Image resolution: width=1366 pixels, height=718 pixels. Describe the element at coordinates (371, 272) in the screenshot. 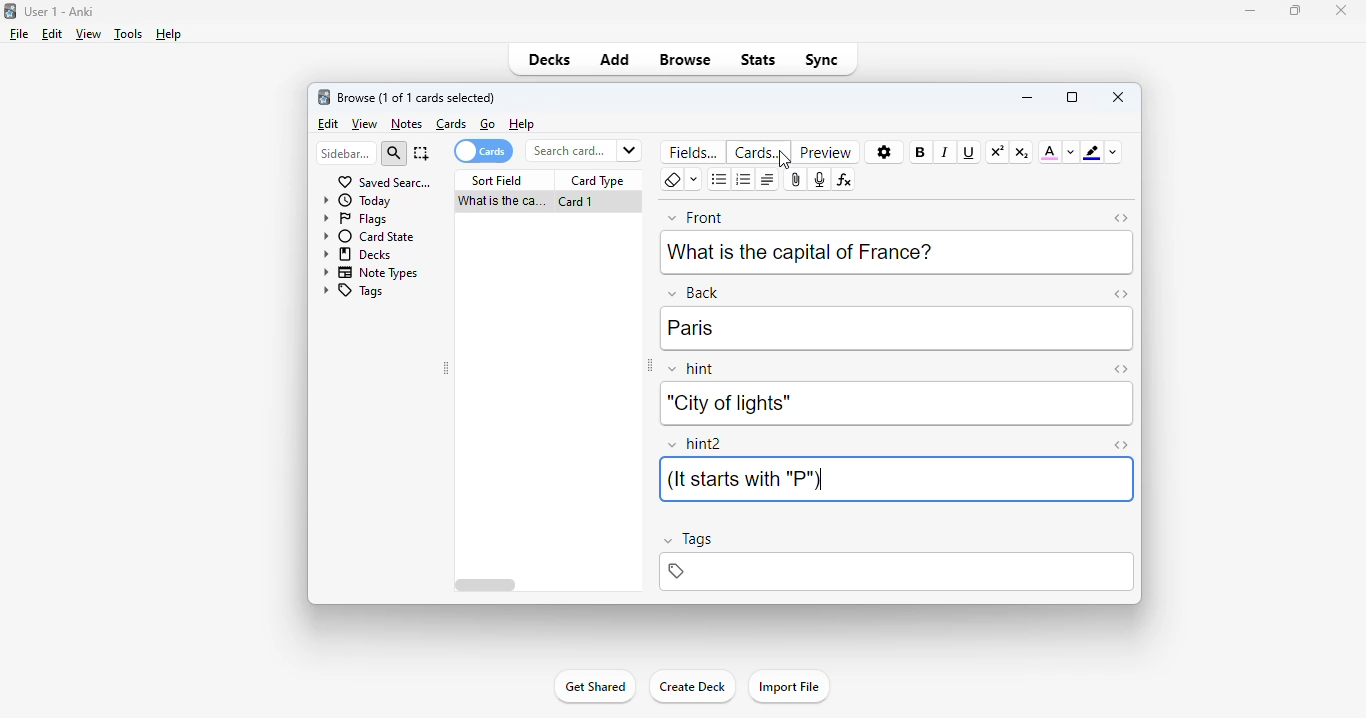

I see `note types` at that location.